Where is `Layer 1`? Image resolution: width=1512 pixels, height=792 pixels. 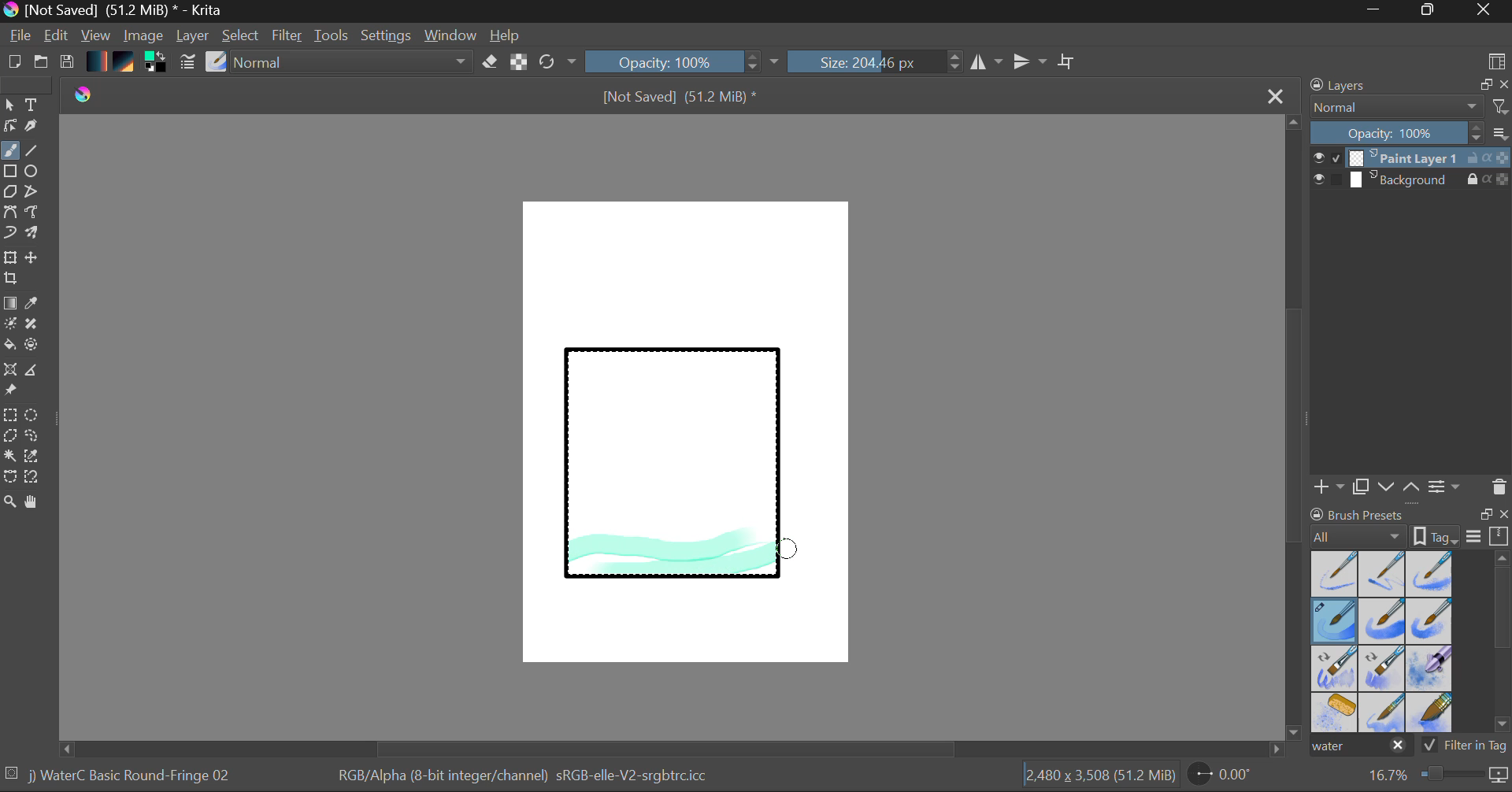 Layer 1 is located at coordinates (1412, 160).